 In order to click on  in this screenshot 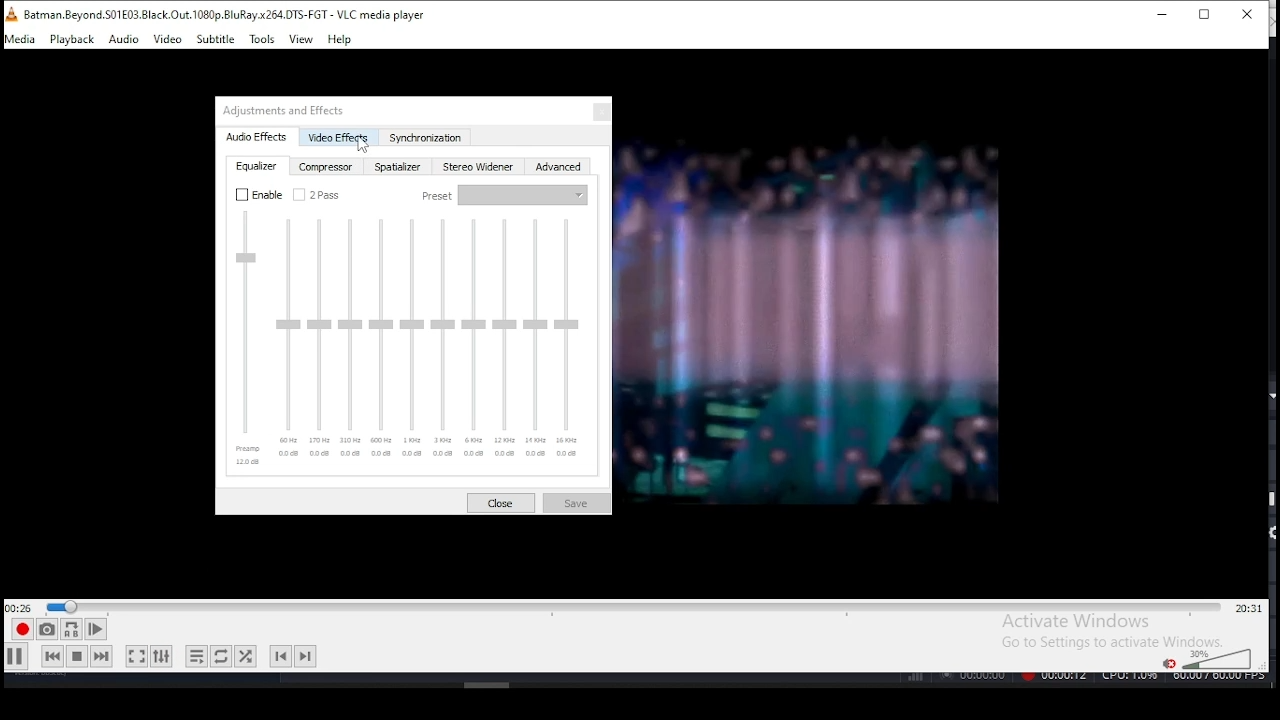, I will do `click(488, 683)`.